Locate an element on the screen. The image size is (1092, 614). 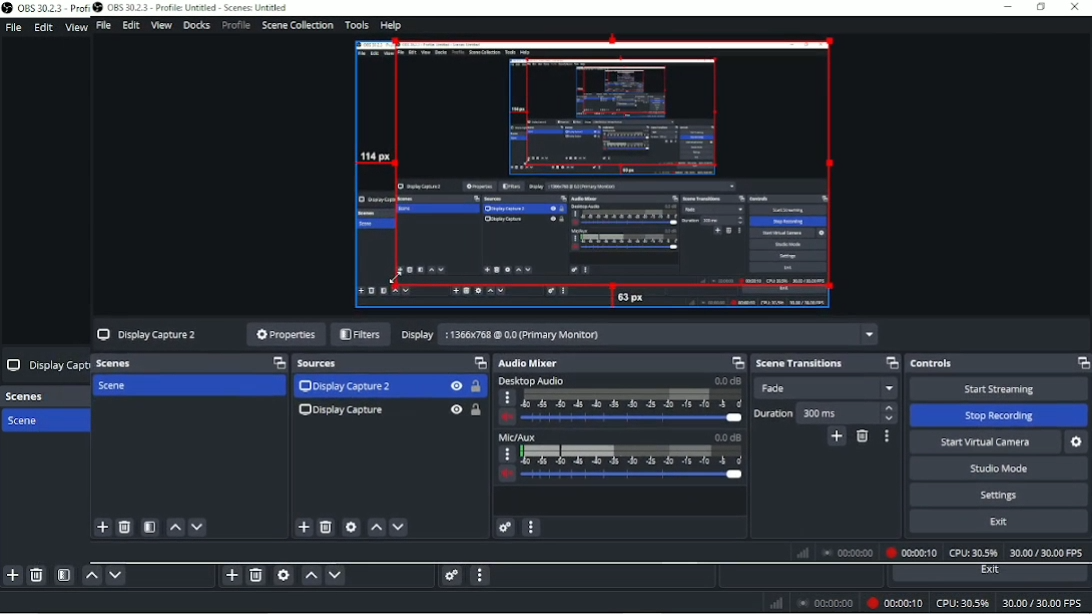
Desktop Audio is located at coordinates (536, 382).